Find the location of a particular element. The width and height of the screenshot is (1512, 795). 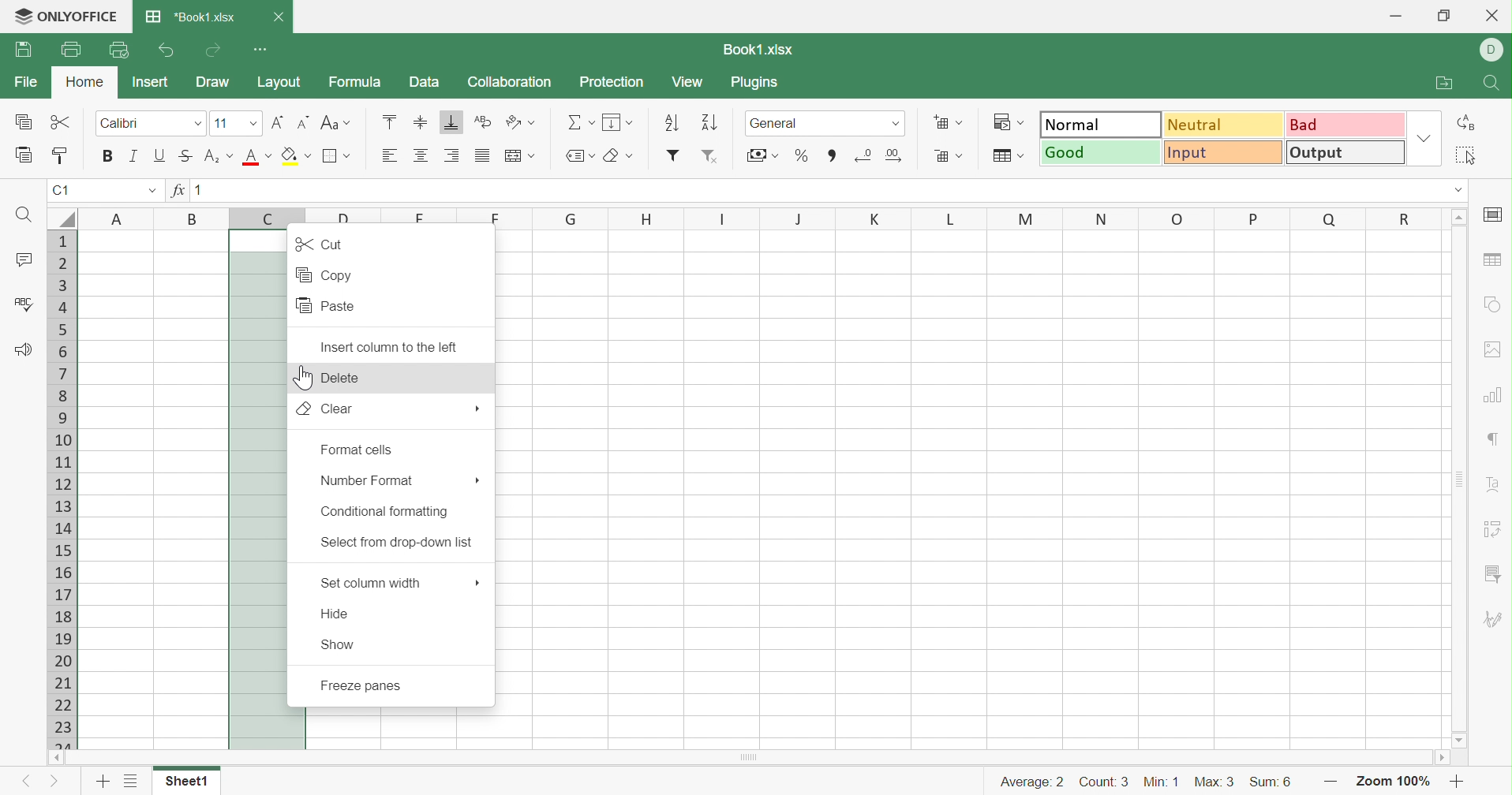

Justified is located at coordinates (480, 155).